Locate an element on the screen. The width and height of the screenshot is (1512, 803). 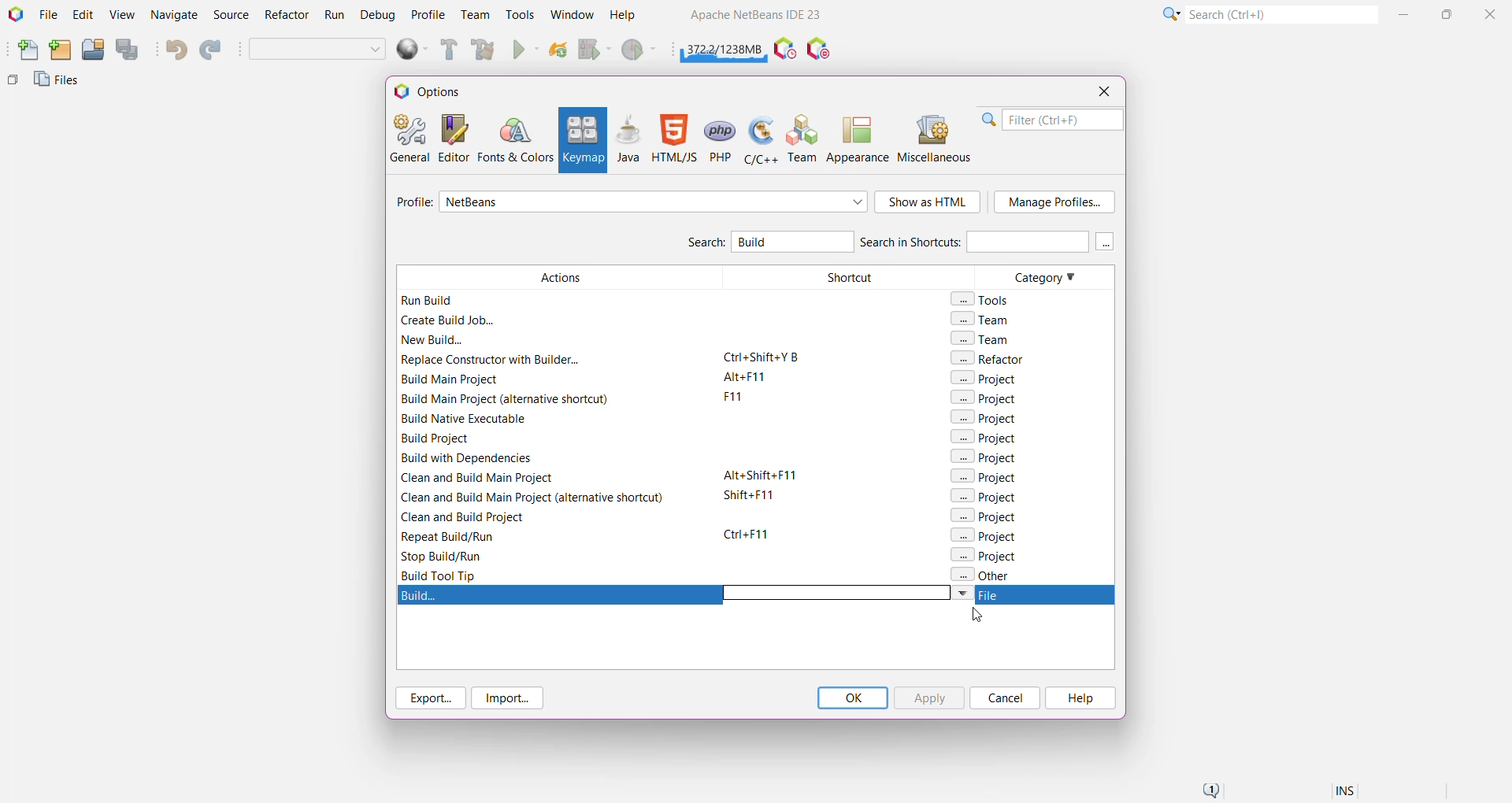
Edit is located at coordinates (83, 16).